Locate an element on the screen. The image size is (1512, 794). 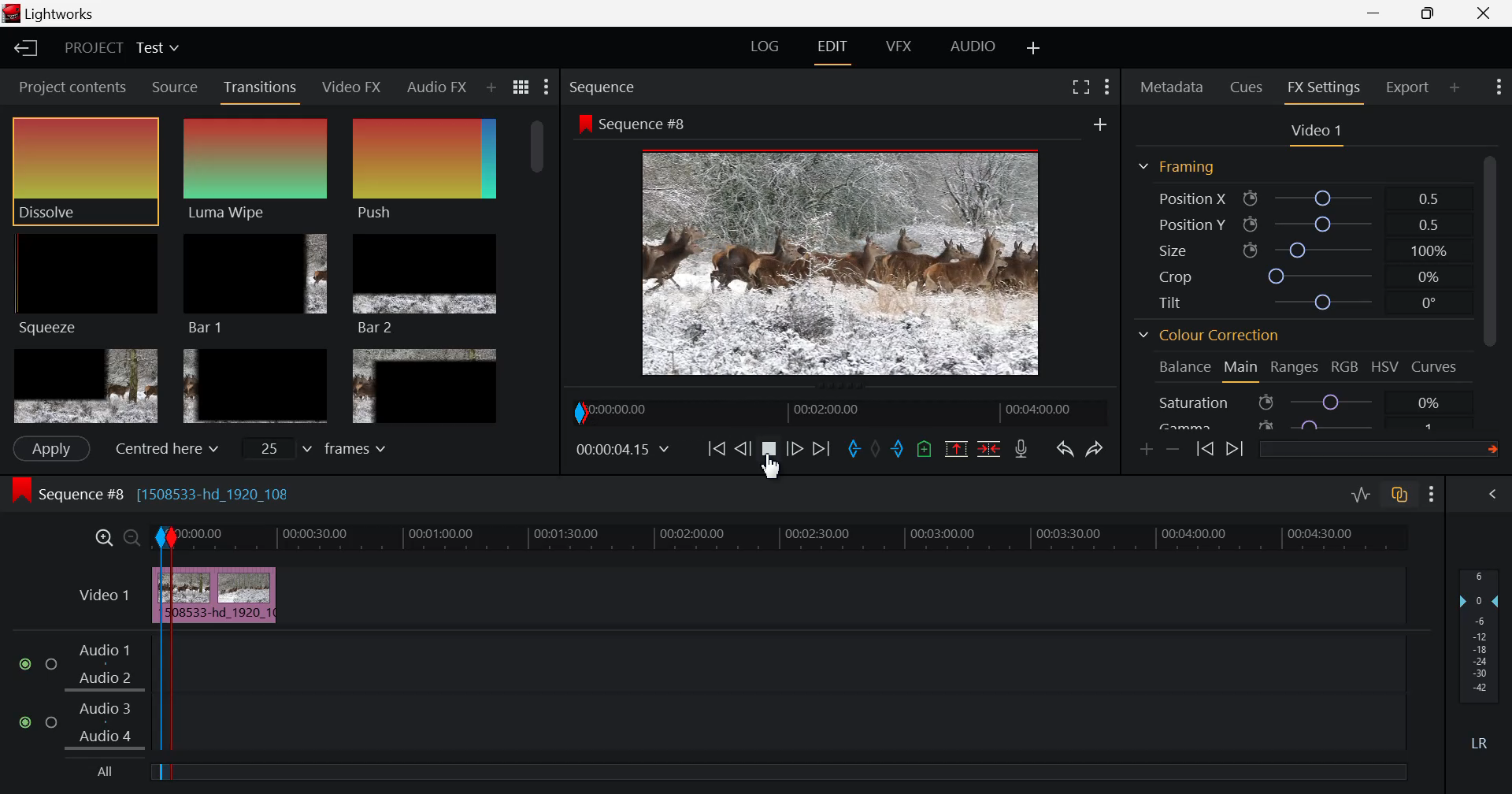
Bar 2 is located at coordinates (426, 284).